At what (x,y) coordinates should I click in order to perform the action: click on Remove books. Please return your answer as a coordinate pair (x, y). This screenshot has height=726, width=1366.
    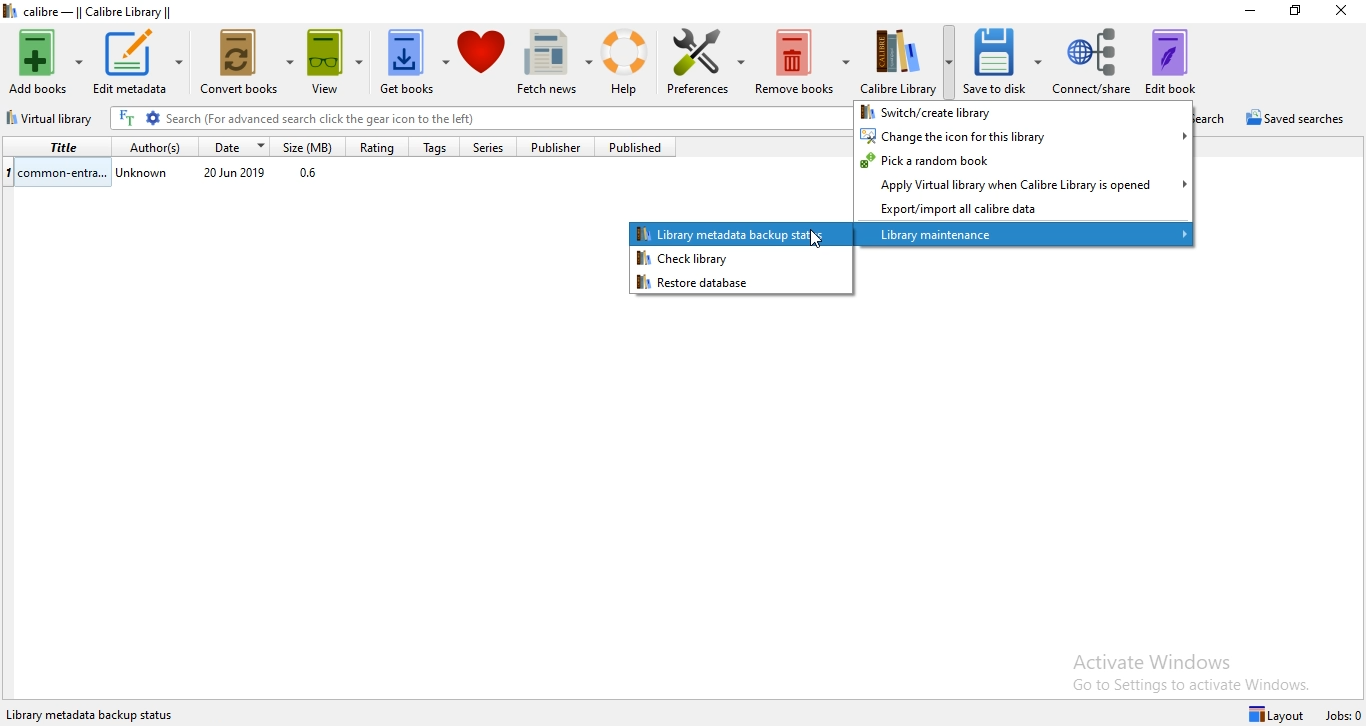
    Looking at the image, I should click on (802, 63).